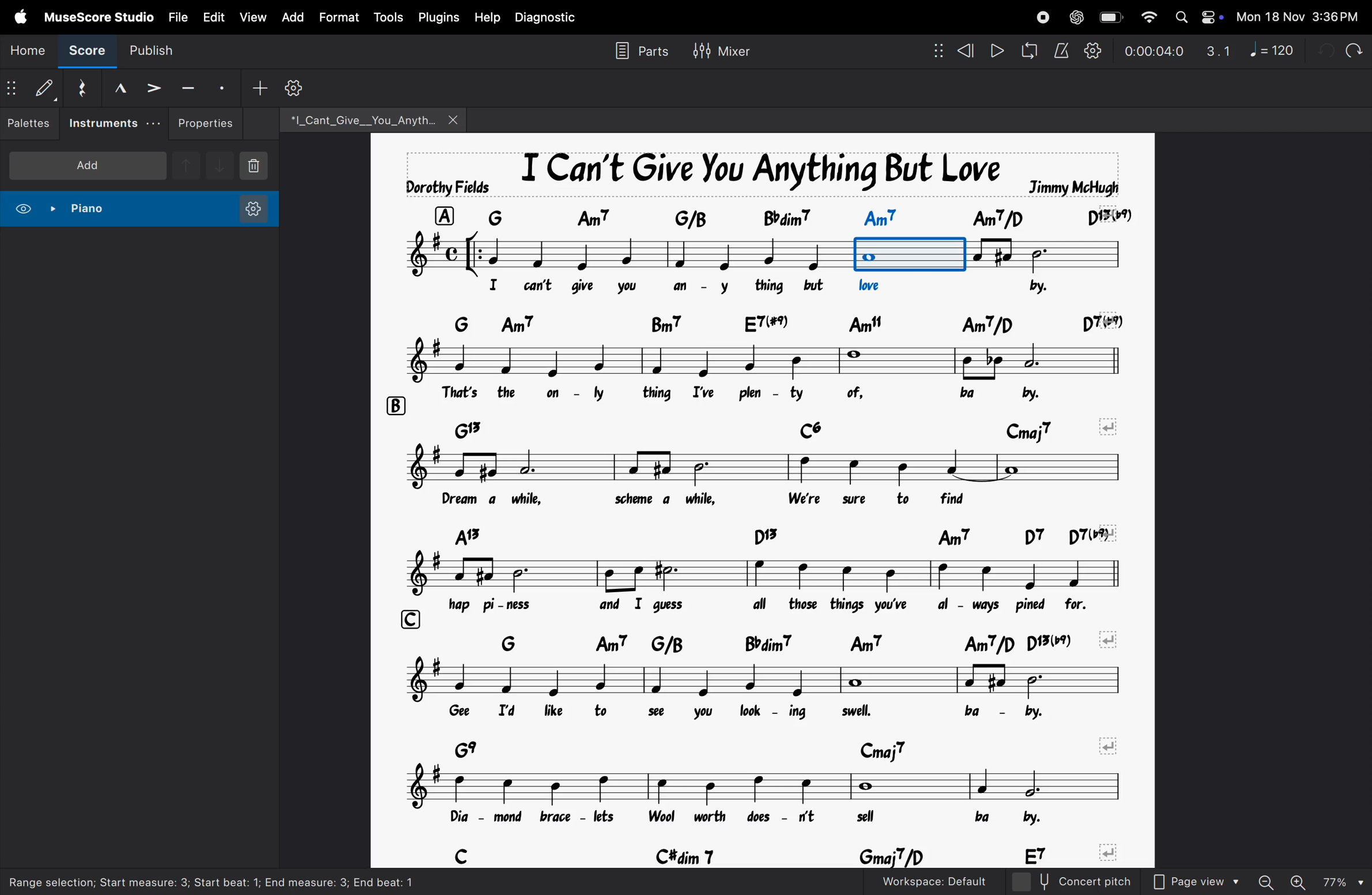 The image size is (1372, 895). Describe the element at coordinates (339, 18) in the screenshot. I see `format` at that location.